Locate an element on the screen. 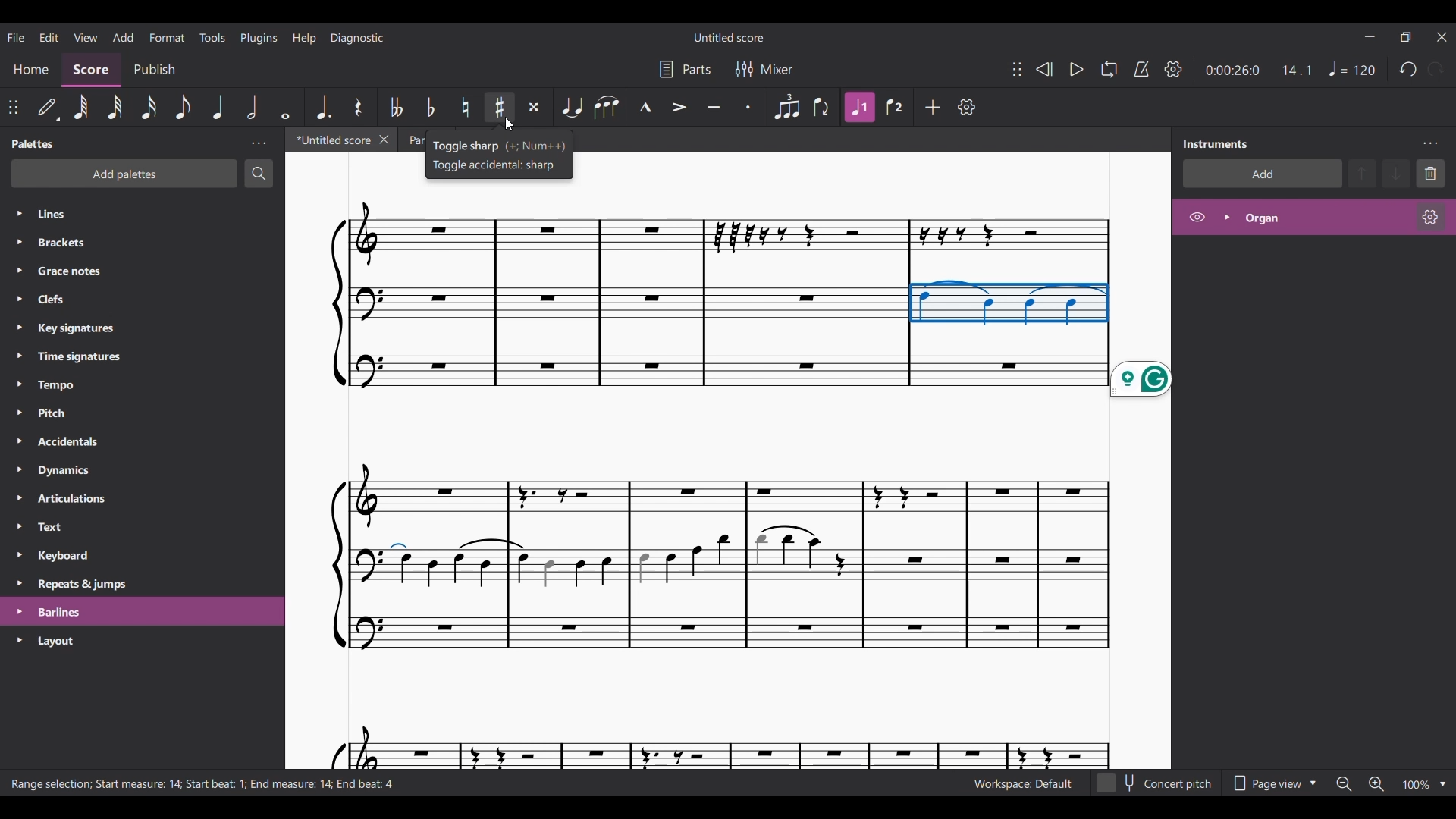 Image resolution: width=1456 pixels, height=819 pixels. Panel title is located at coordinates (33, 143).